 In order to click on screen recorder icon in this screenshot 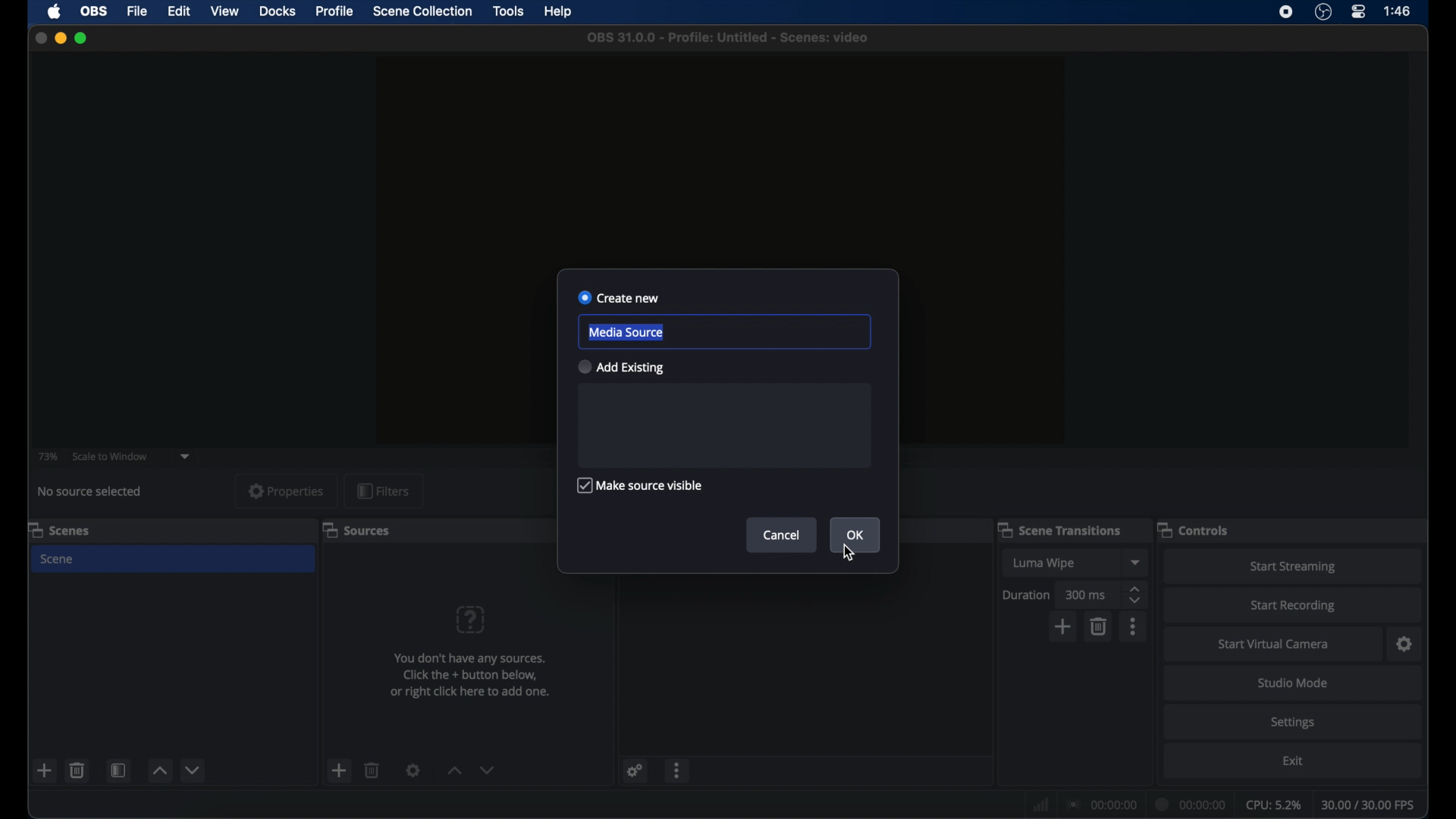, I will do `click(1286, 12)`.